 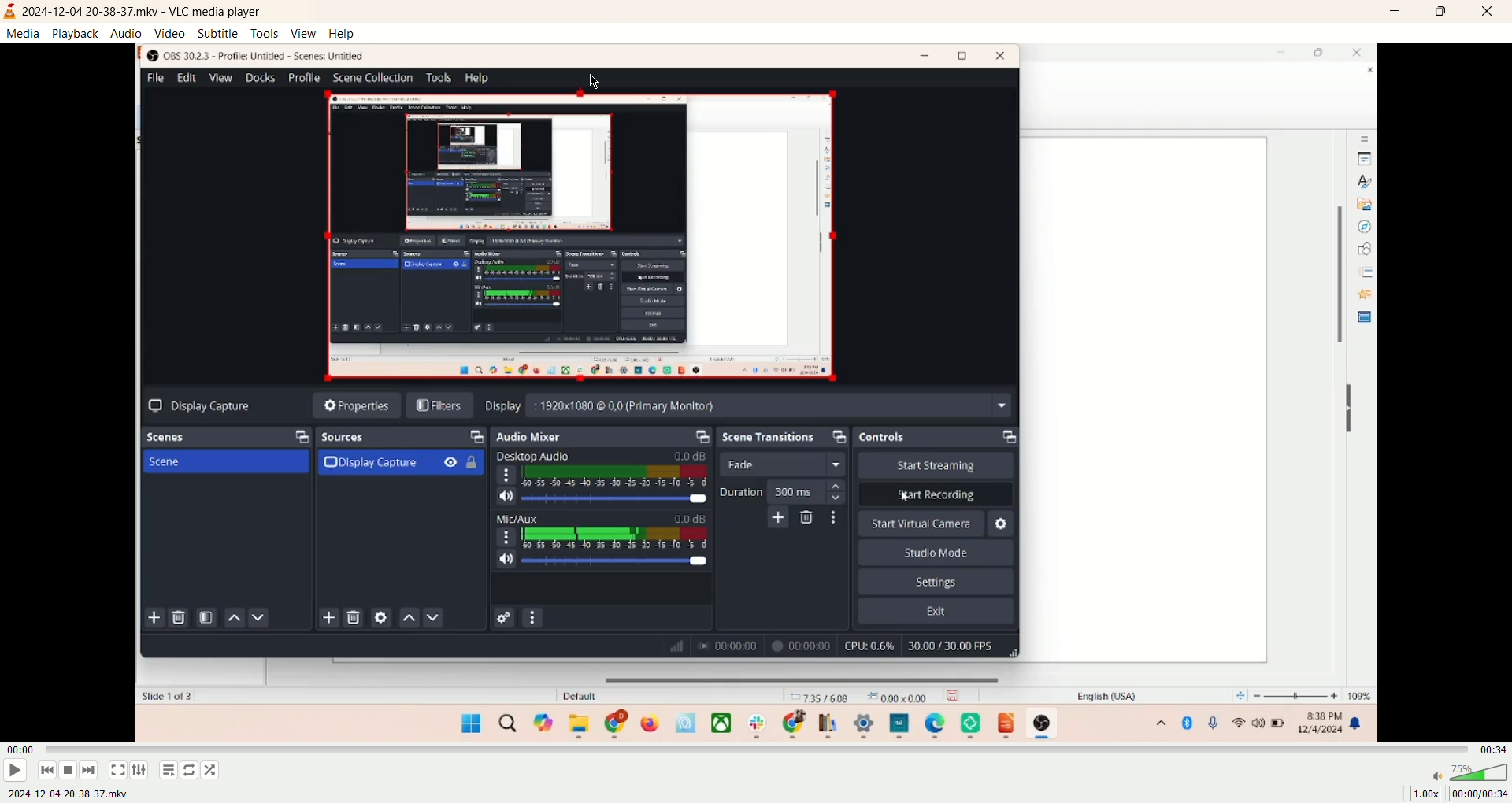 I want to click on tools, so click(x=264, y=33).